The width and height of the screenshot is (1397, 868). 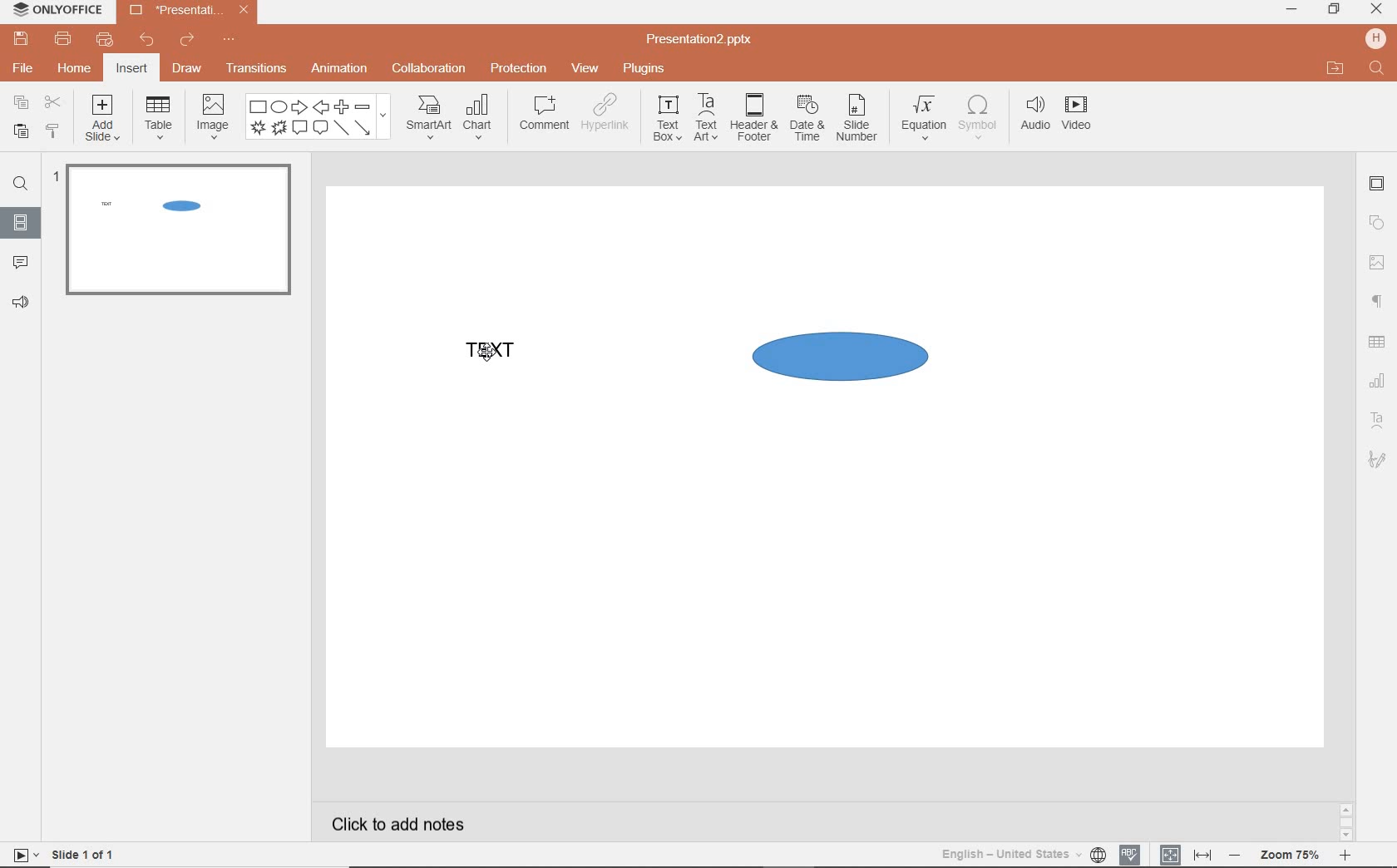 What do you see at coordinates (1377, 185) in the screenshot?
I see `SLIDE SETTINGS` at bounding box center [1377, 185].